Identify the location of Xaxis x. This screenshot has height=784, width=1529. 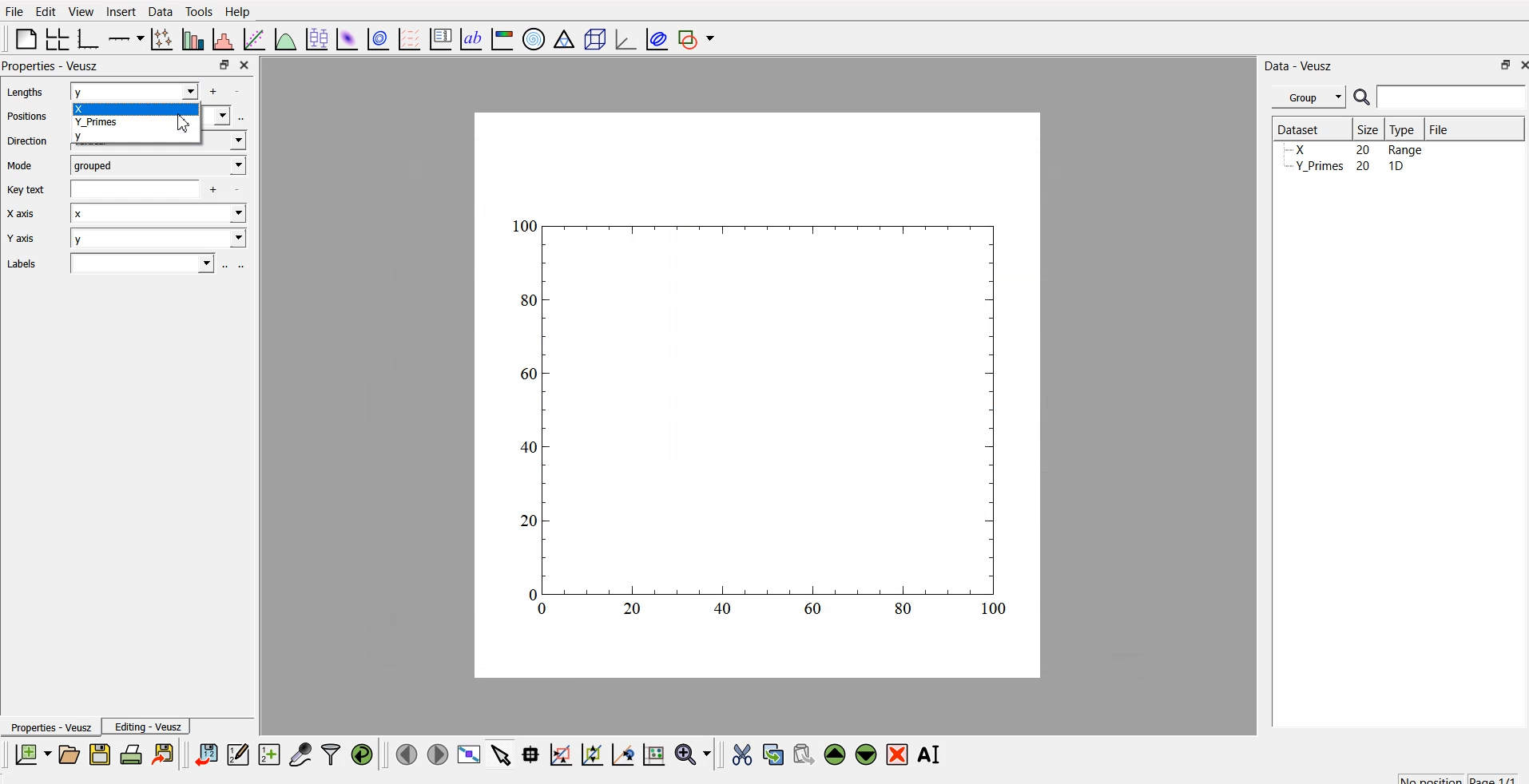
(131, 216).